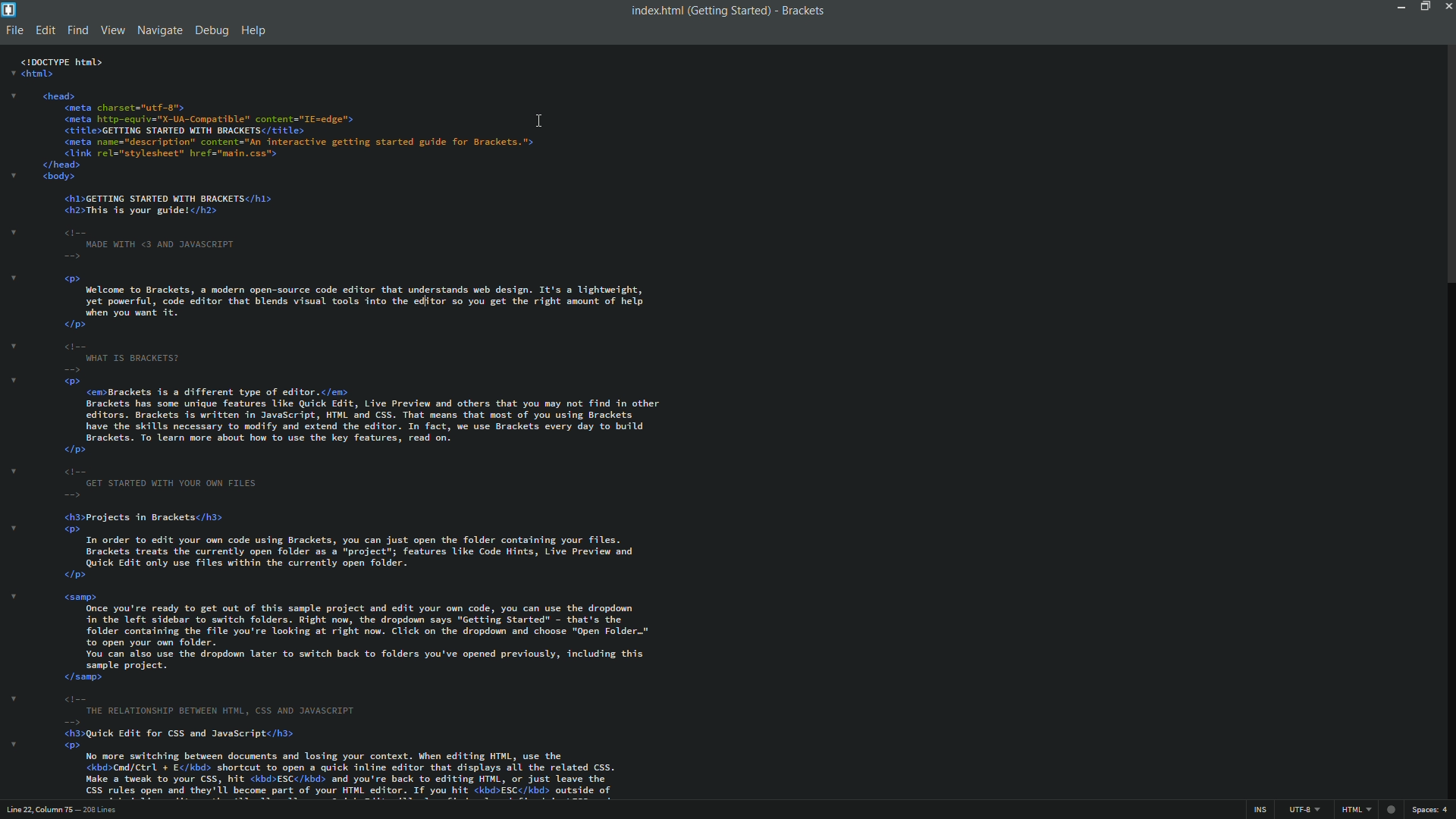  What do you see at coordinates (253, 32) in the screenshot?
I see `help` at bounding box center [253, 32].